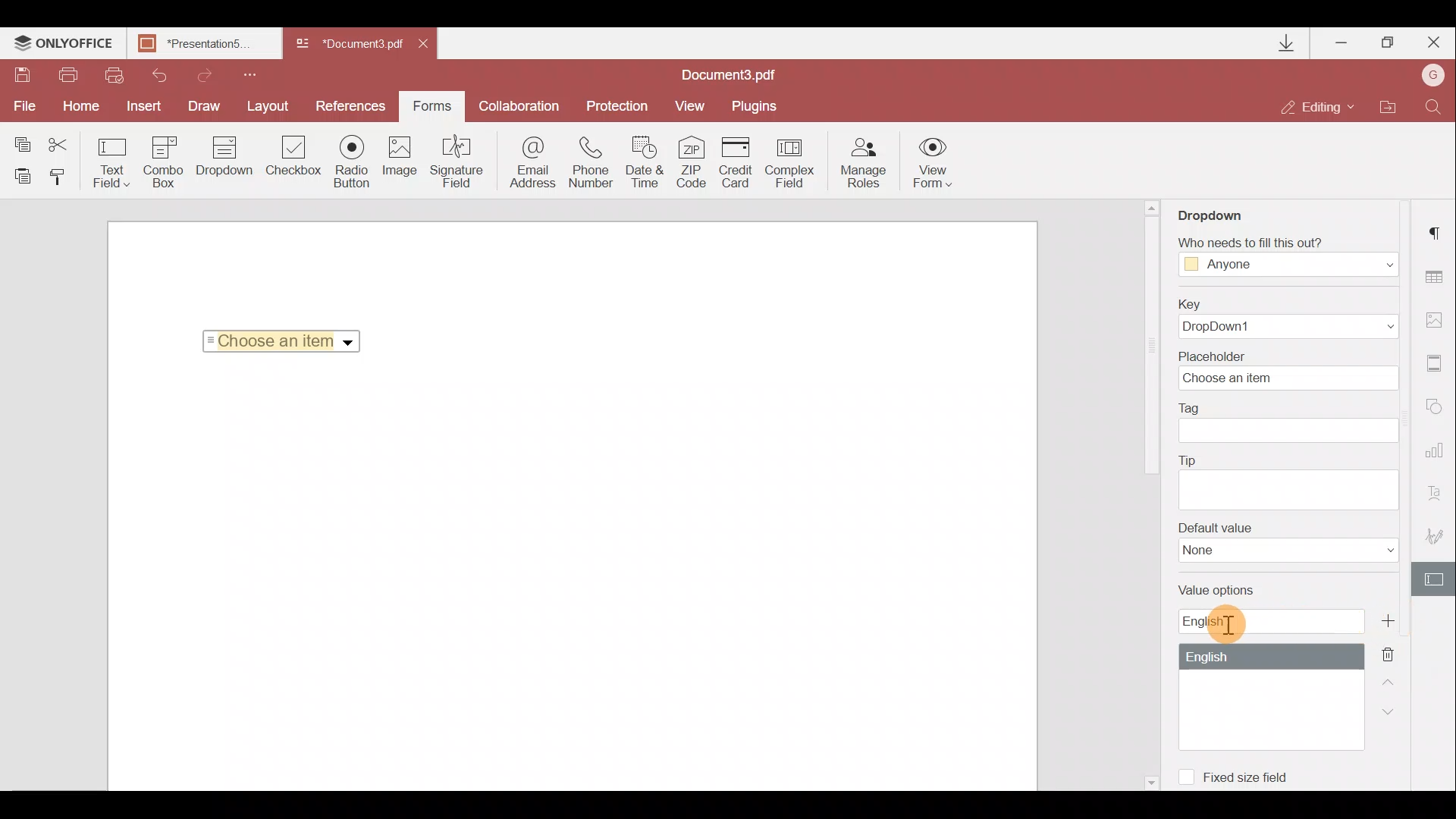 The width and height of the screenshot is (1456, 819). I want to click on Customize quick access toolbar, so click(244, 73).